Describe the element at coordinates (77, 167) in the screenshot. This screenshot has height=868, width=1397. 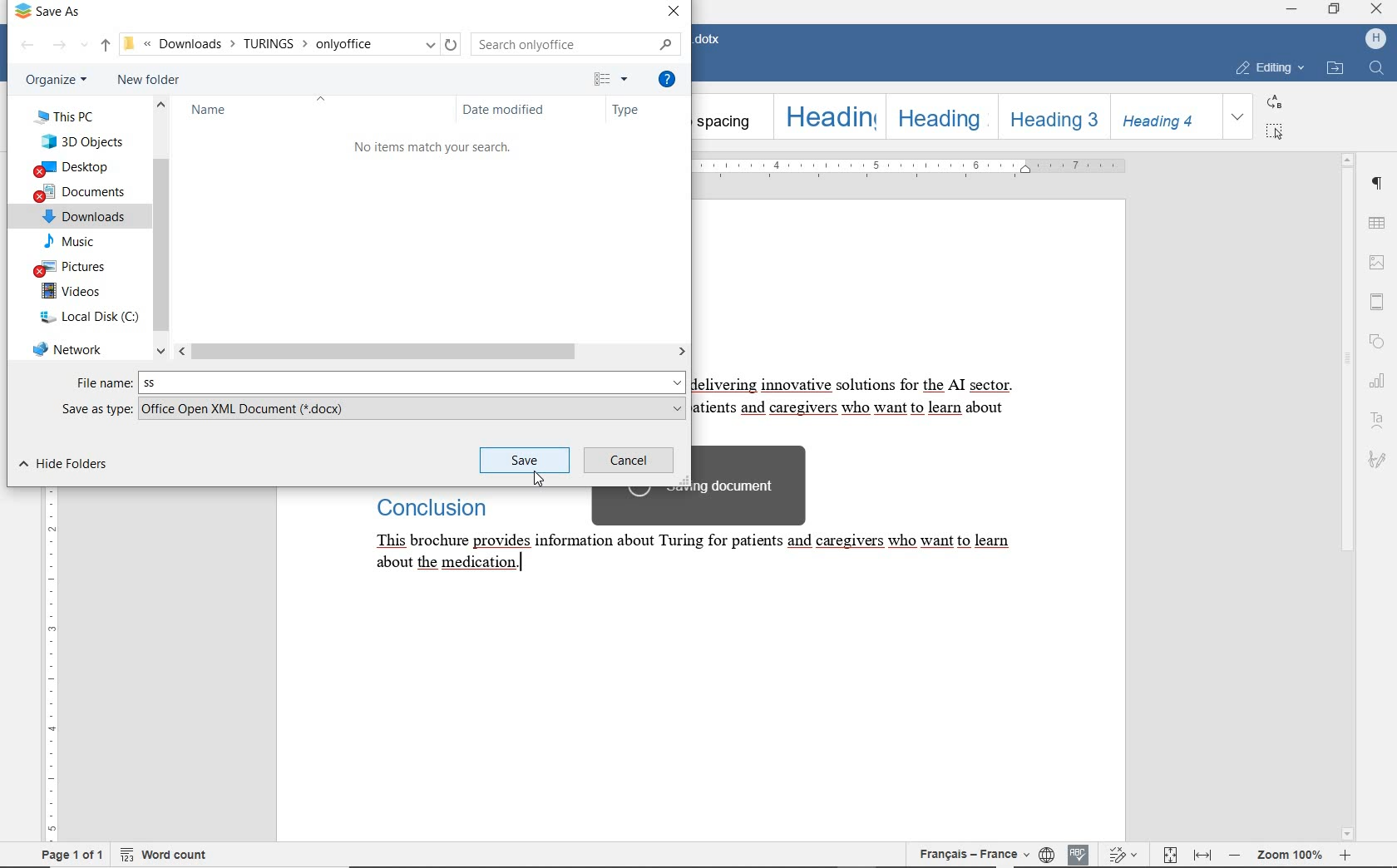
I see `DESKTOP` at that location.